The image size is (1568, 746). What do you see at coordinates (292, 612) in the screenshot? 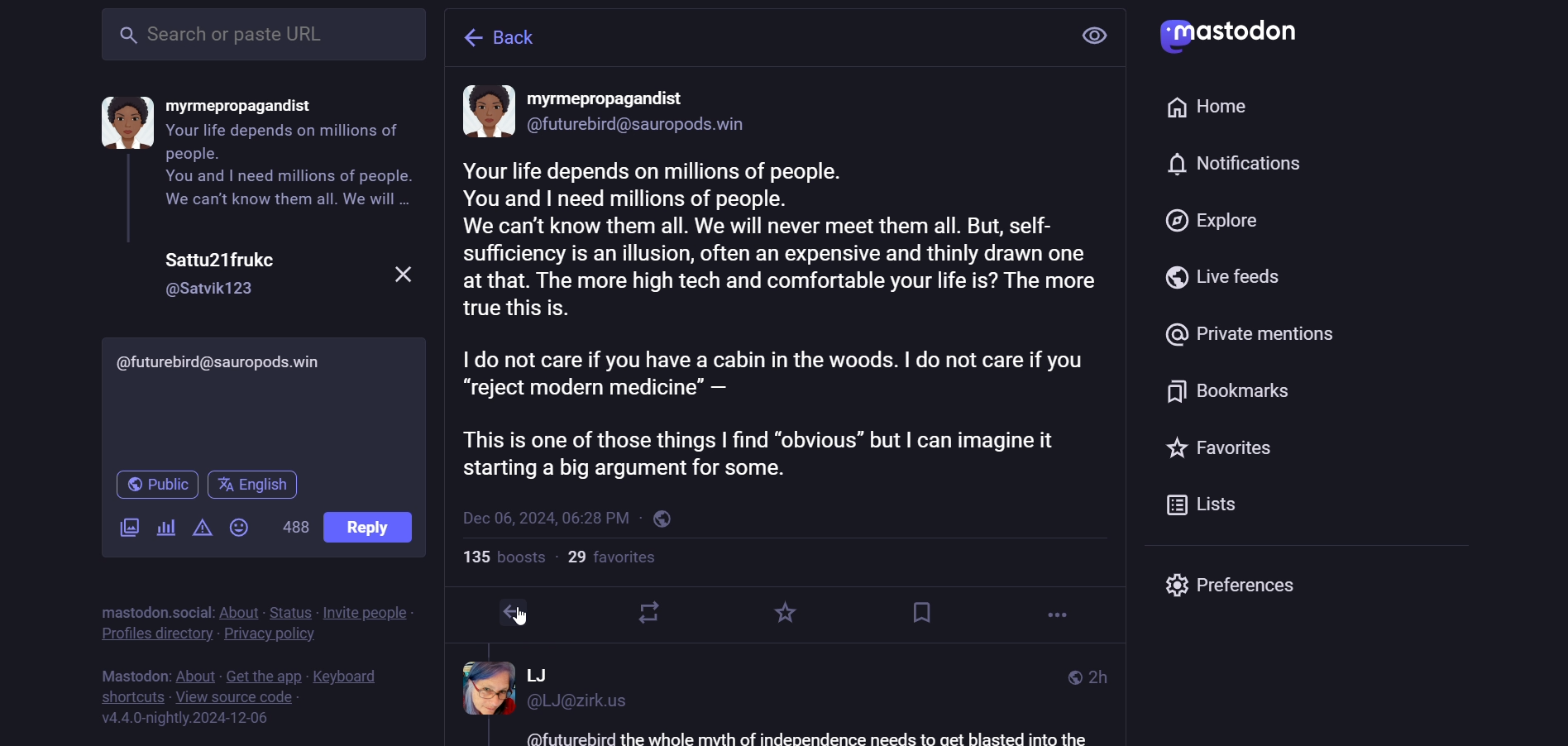
I see `status` at bounding box center [292, 612].